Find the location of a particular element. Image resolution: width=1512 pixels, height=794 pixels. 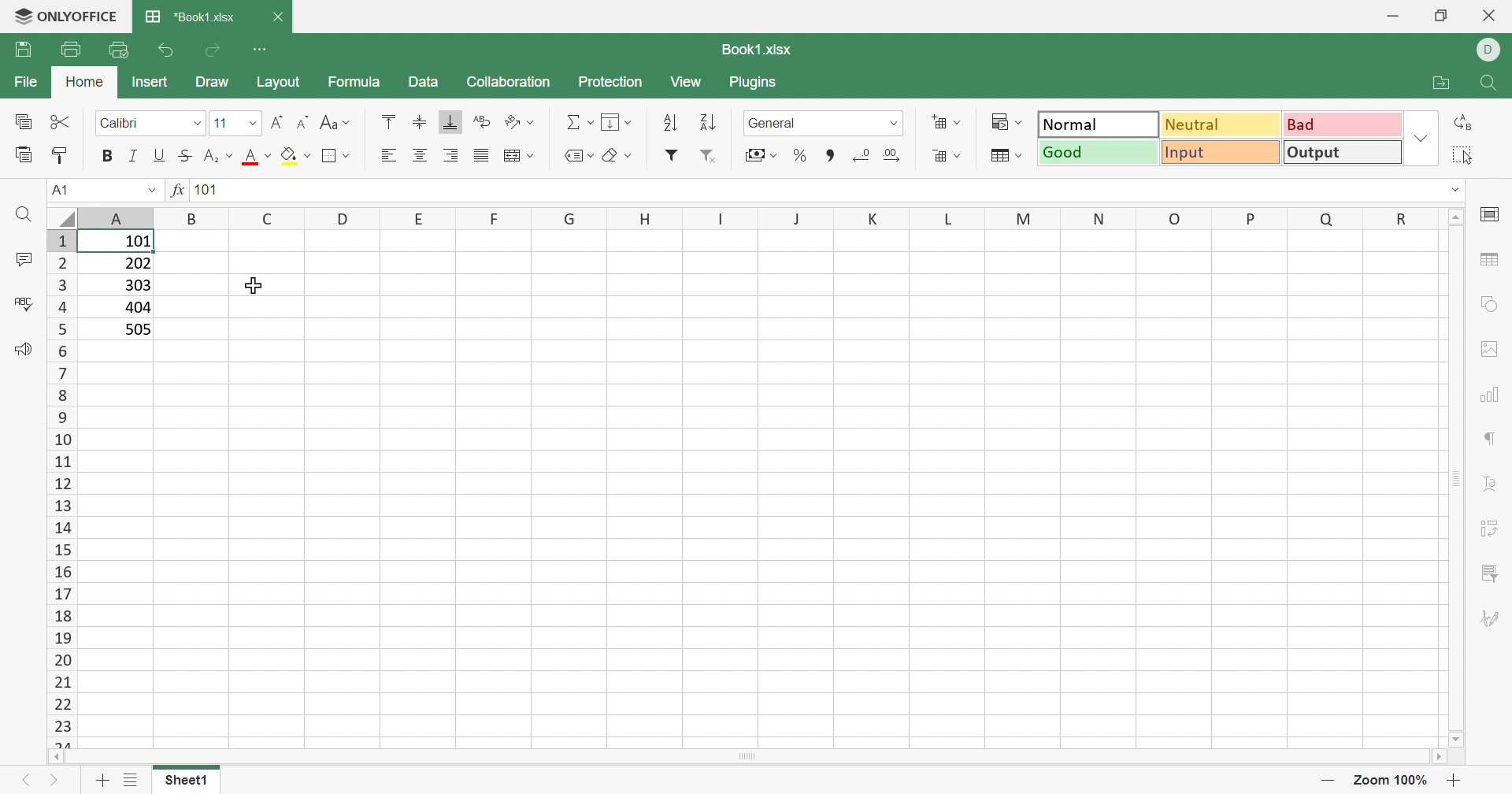

Sheet1 is located at coordinates (186, 780).